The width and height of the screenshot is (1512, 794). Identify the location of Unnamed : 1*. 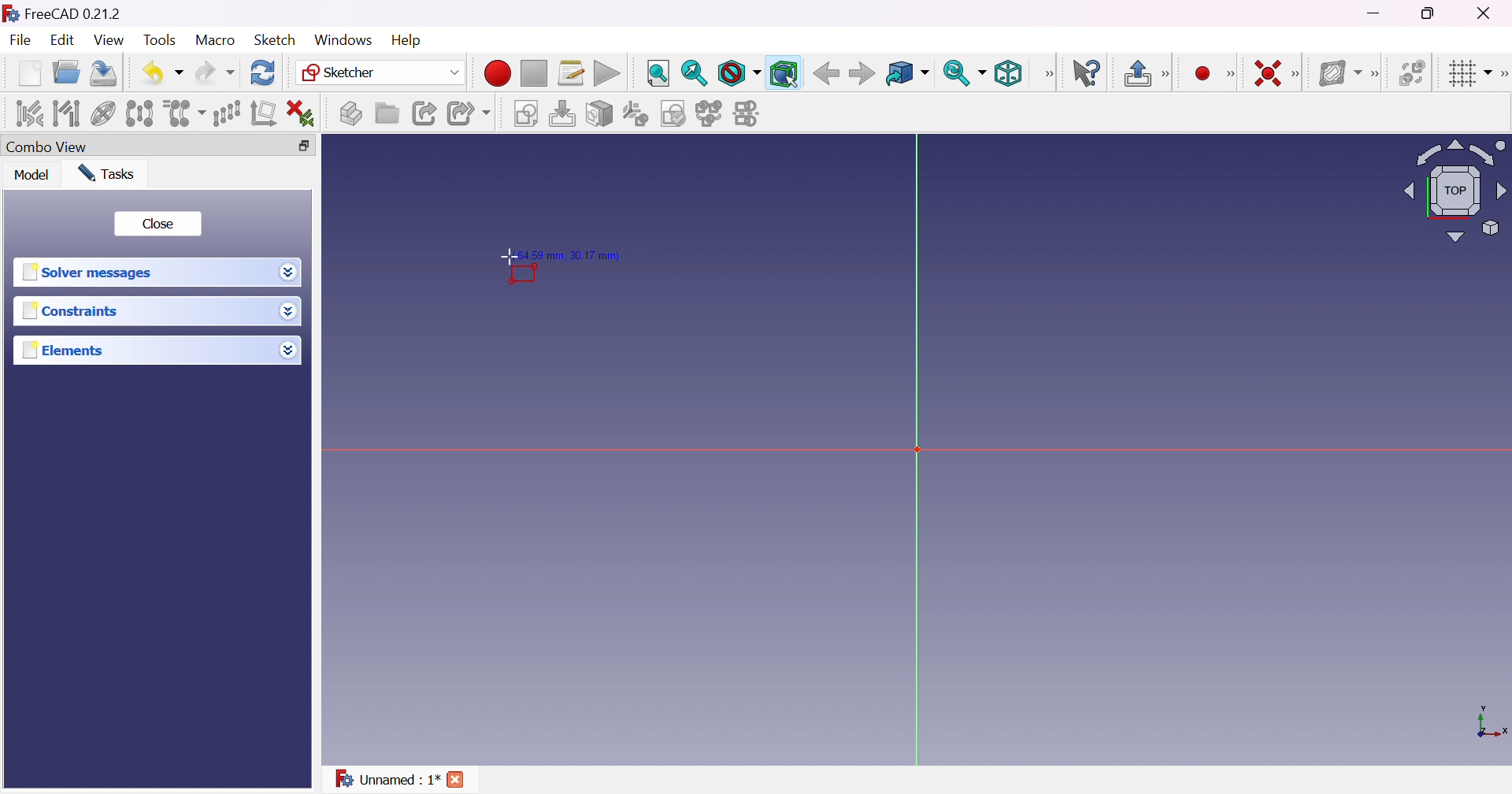
(386, 779).